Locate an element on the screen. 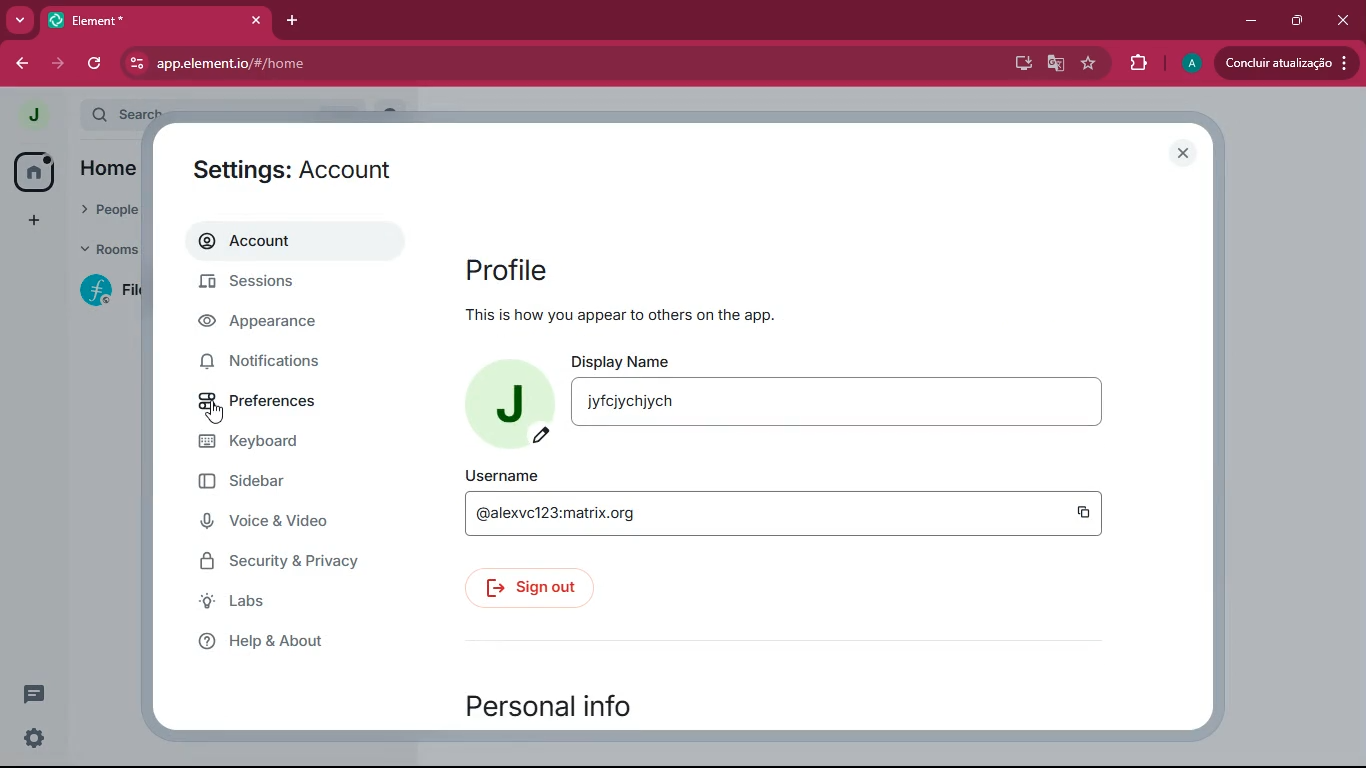 Image resolution: width=1366 pixels, height=768 pixels. close tab is located at coordinates (256, 21).